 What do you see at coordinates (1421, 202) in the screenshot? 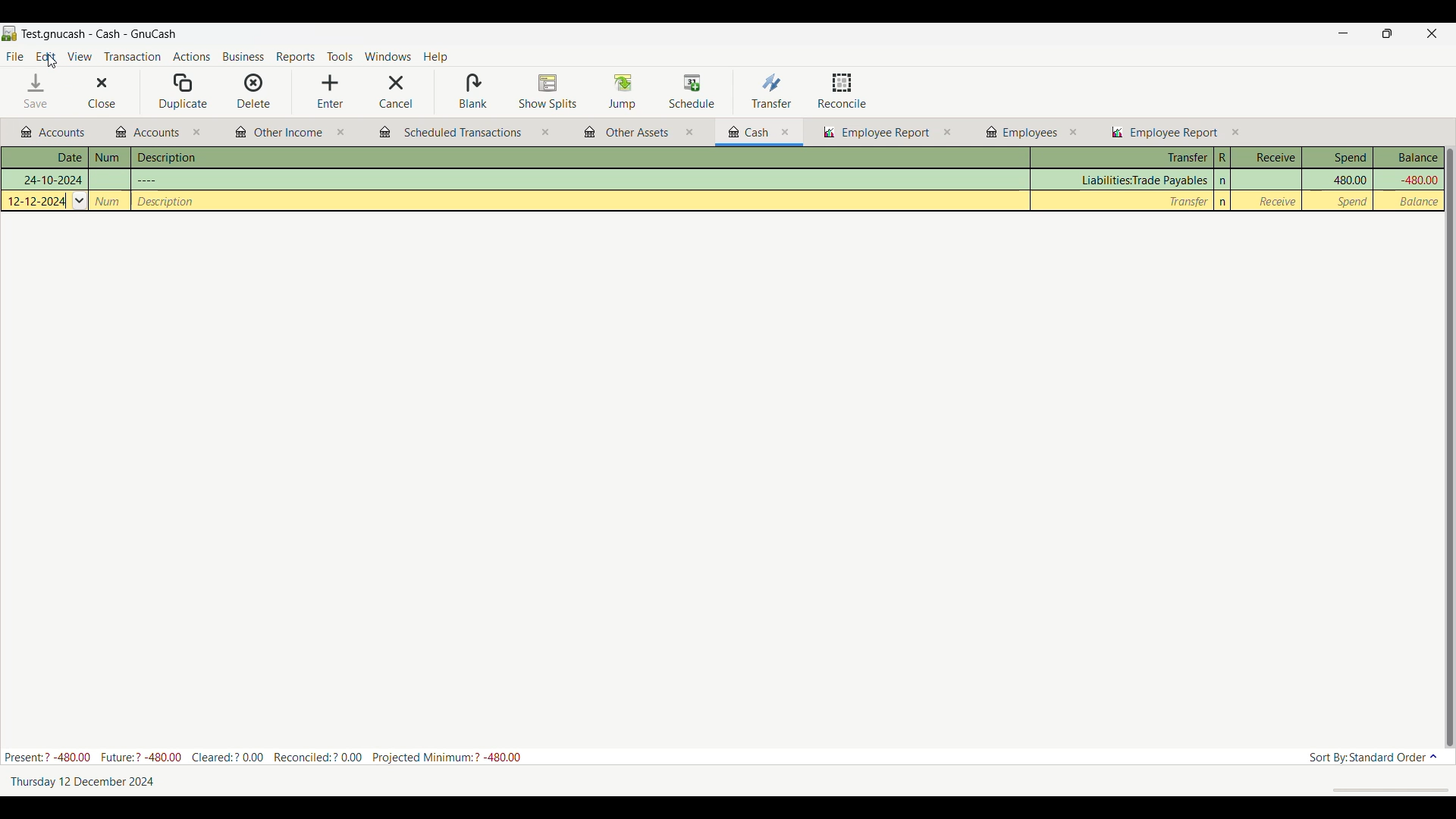
I see `Balance column` at bounding box center [1421, 202].